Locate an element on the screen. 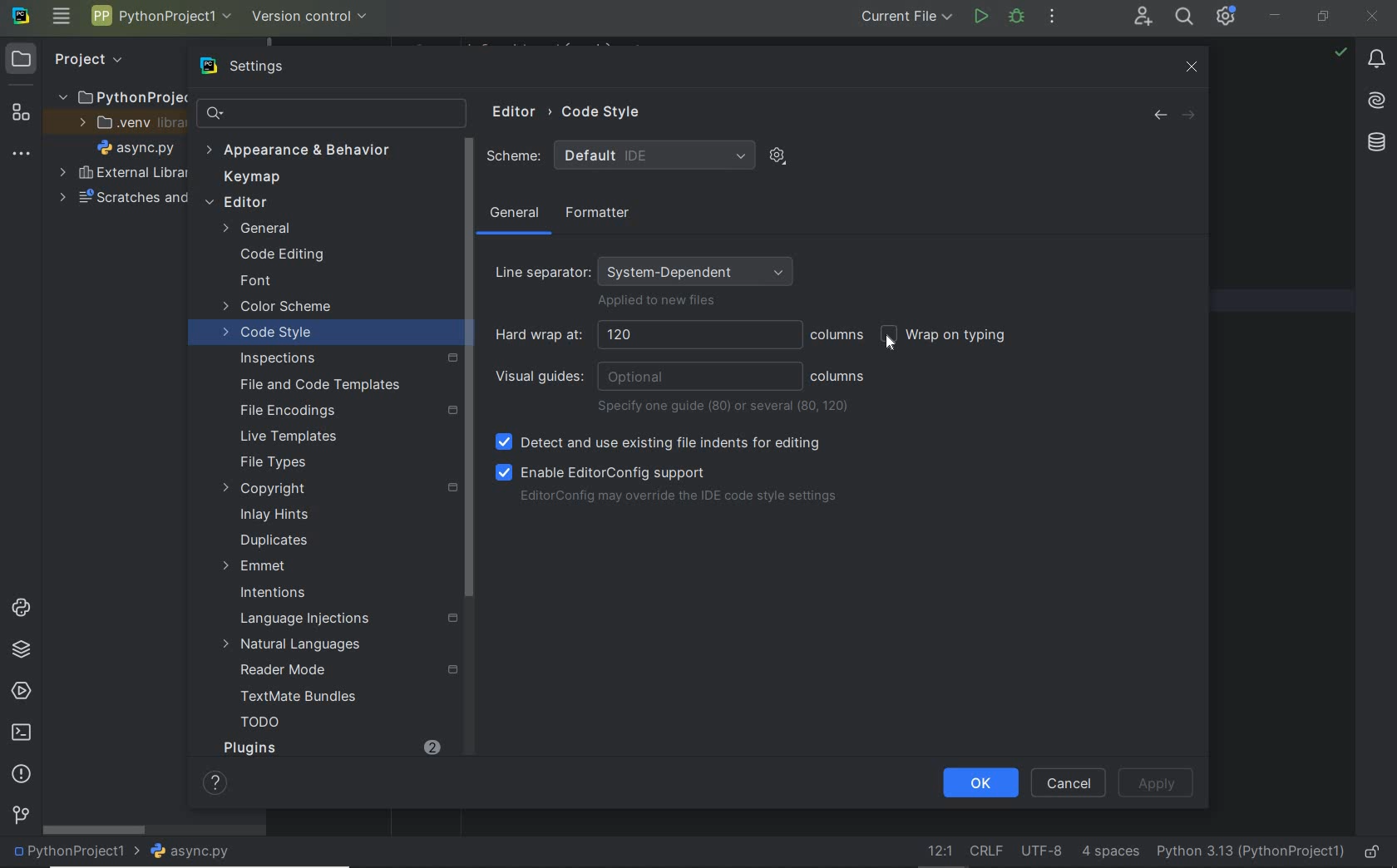 Image resolution: width=1397 pixels, height=868 pixels. wrap on typing is located at coordinates (949, 337).